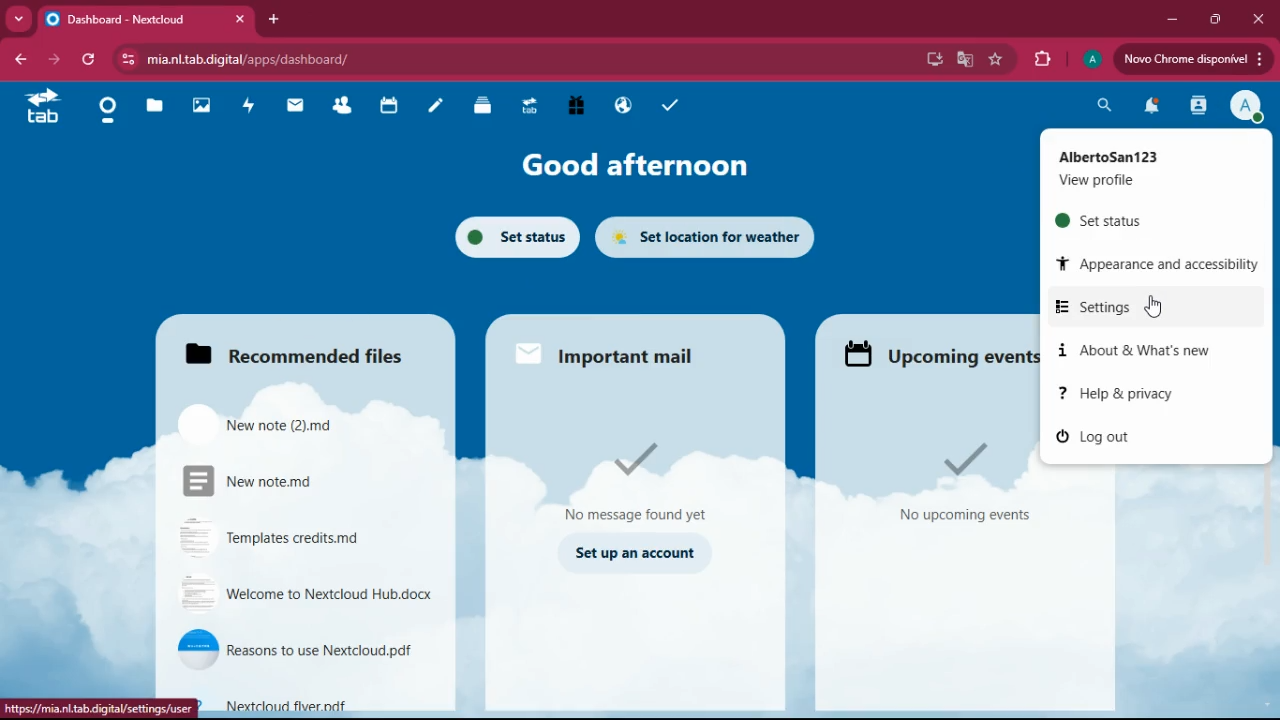  Describe the element at coordinates (934, 352) in the screenshot. I see `events` at that location.